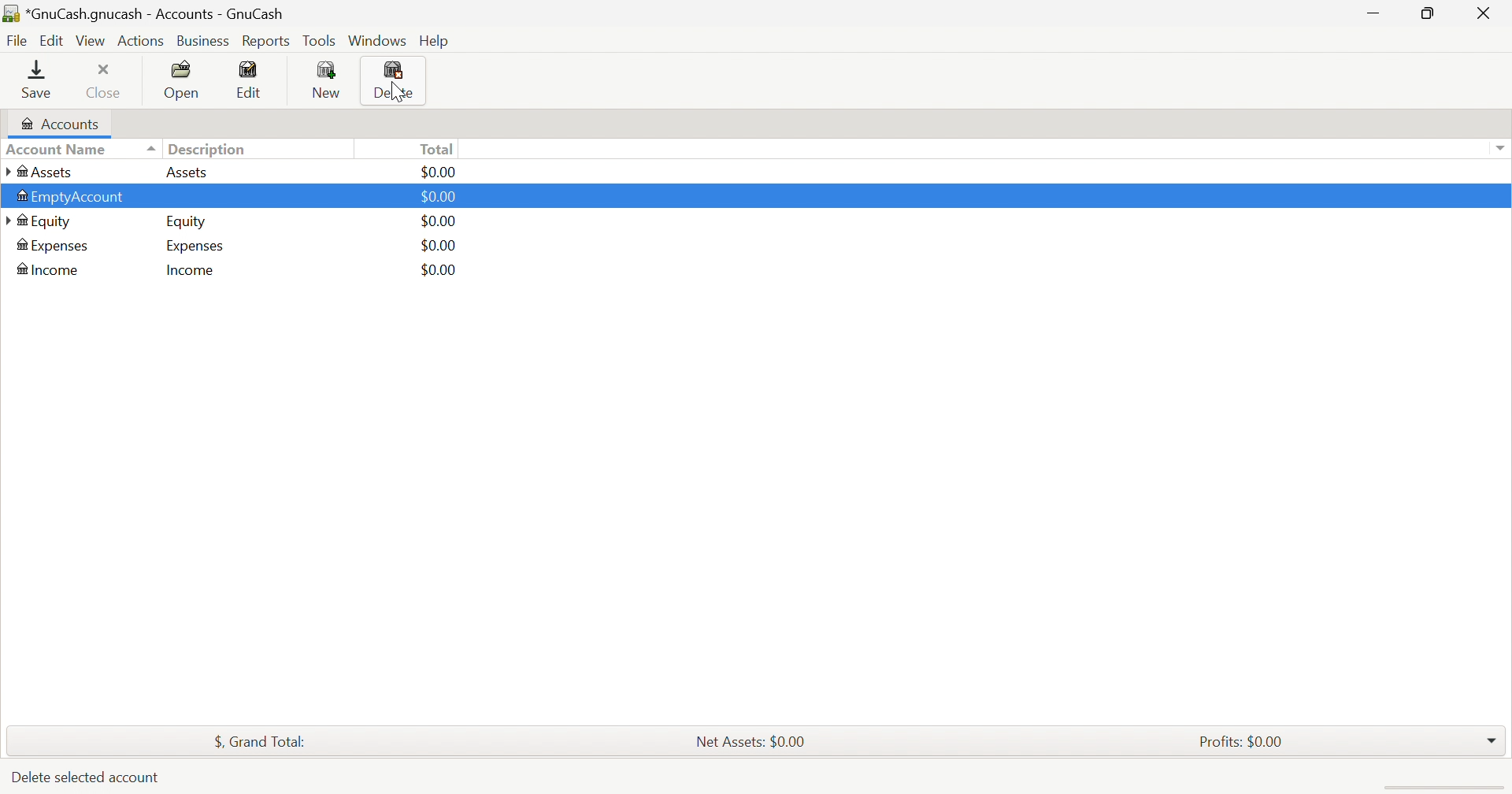 The width and height of the screenshot is (1512, 794). I want to click on Equity, so click(187, 223).